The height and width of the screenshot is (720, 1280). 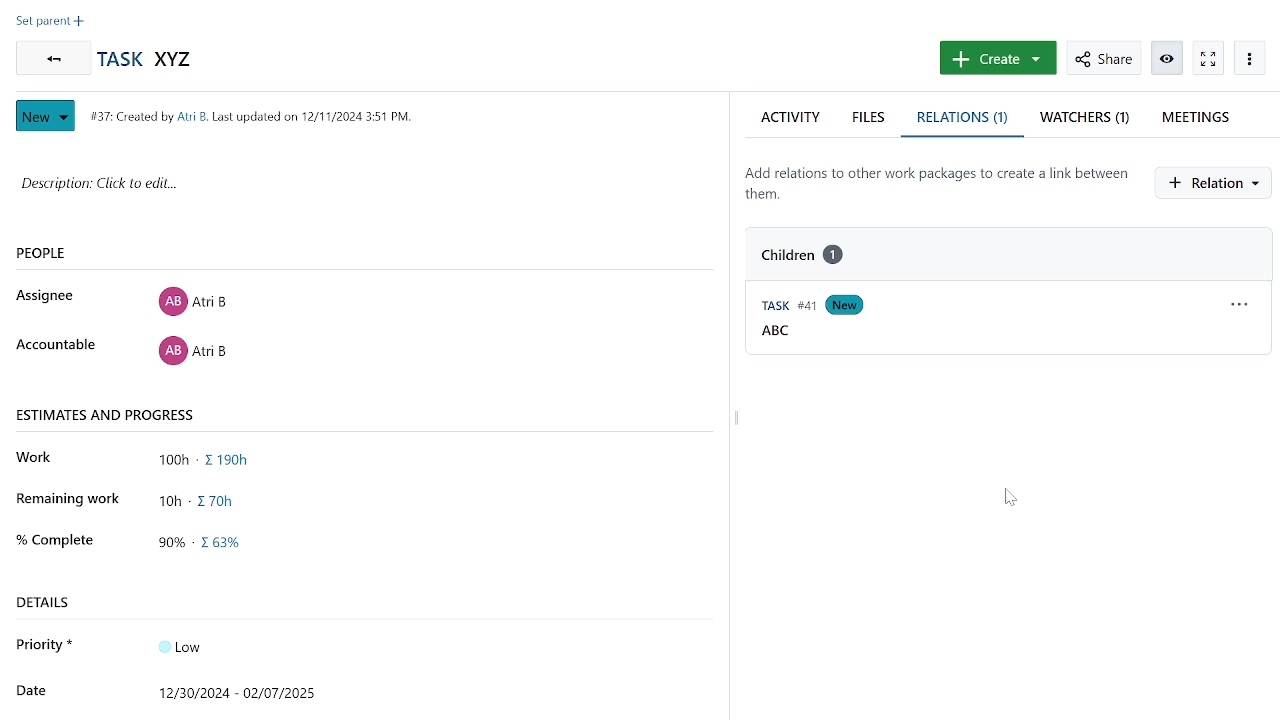 What do you see at coordinates (206, 499) in the screenshot?
I see `remaining work` at bounding box center [206, 499].